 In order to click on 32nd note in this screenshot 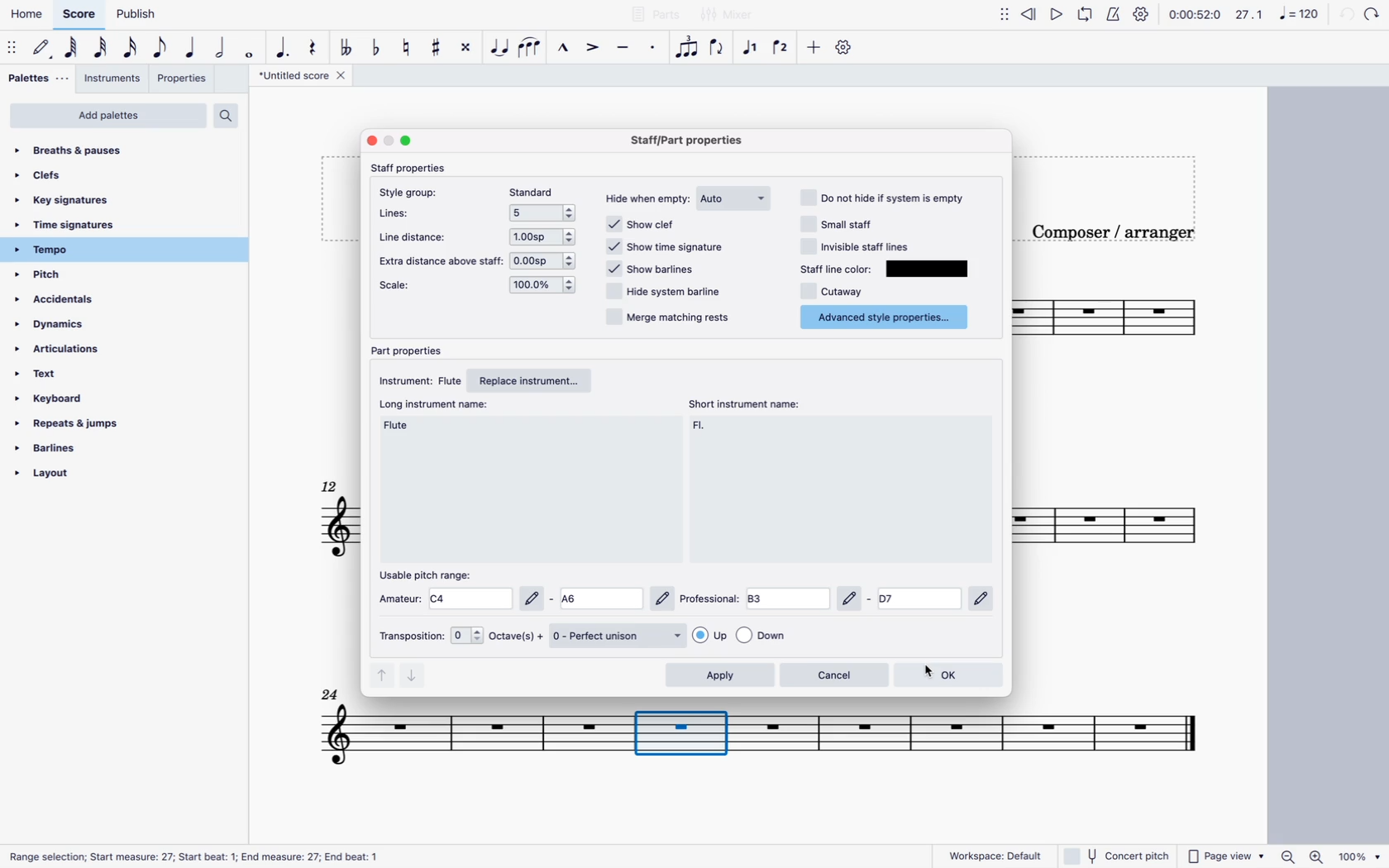, I will do `click(102, 49)`.